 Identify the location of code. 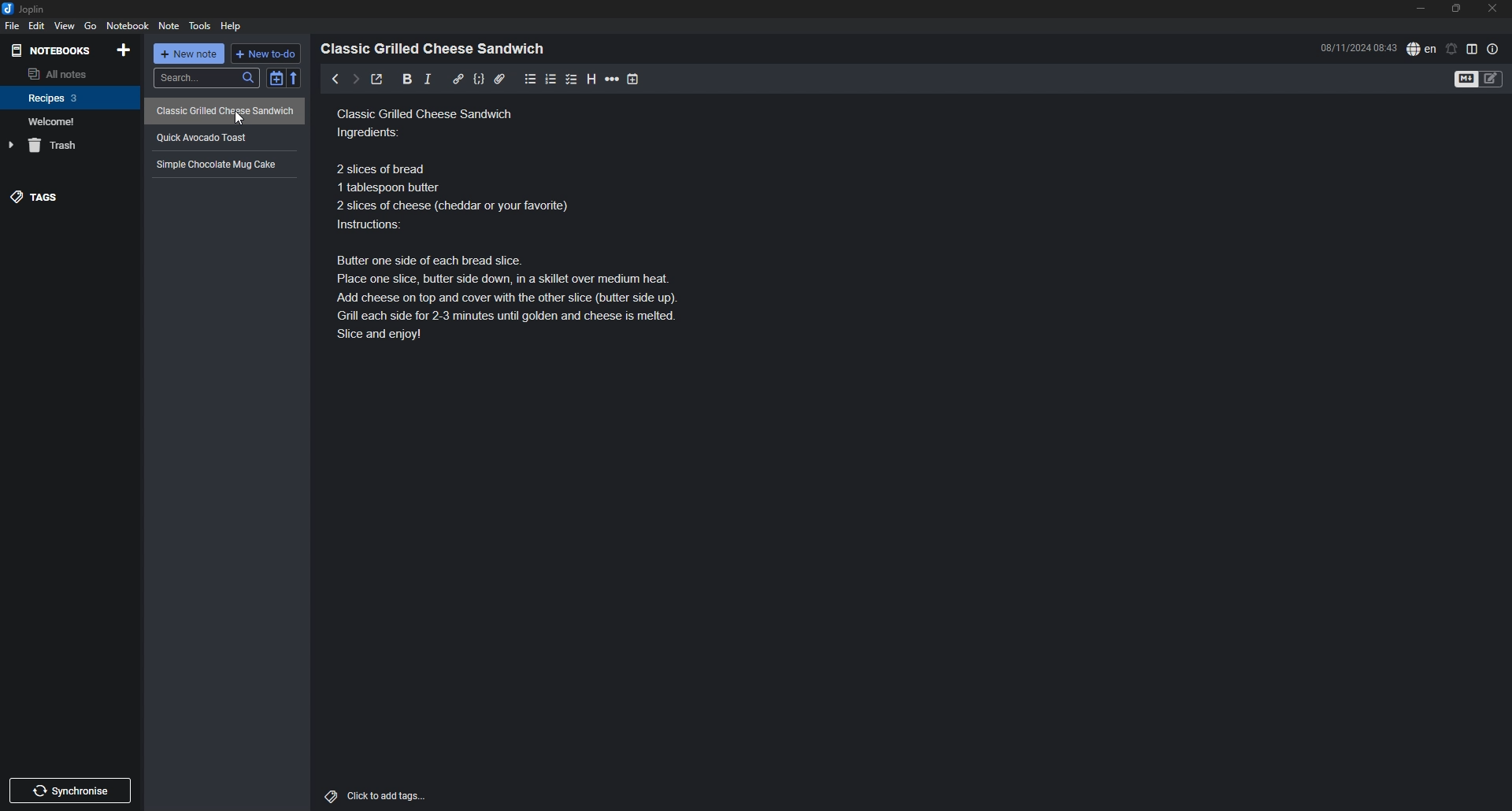
(478, 79).